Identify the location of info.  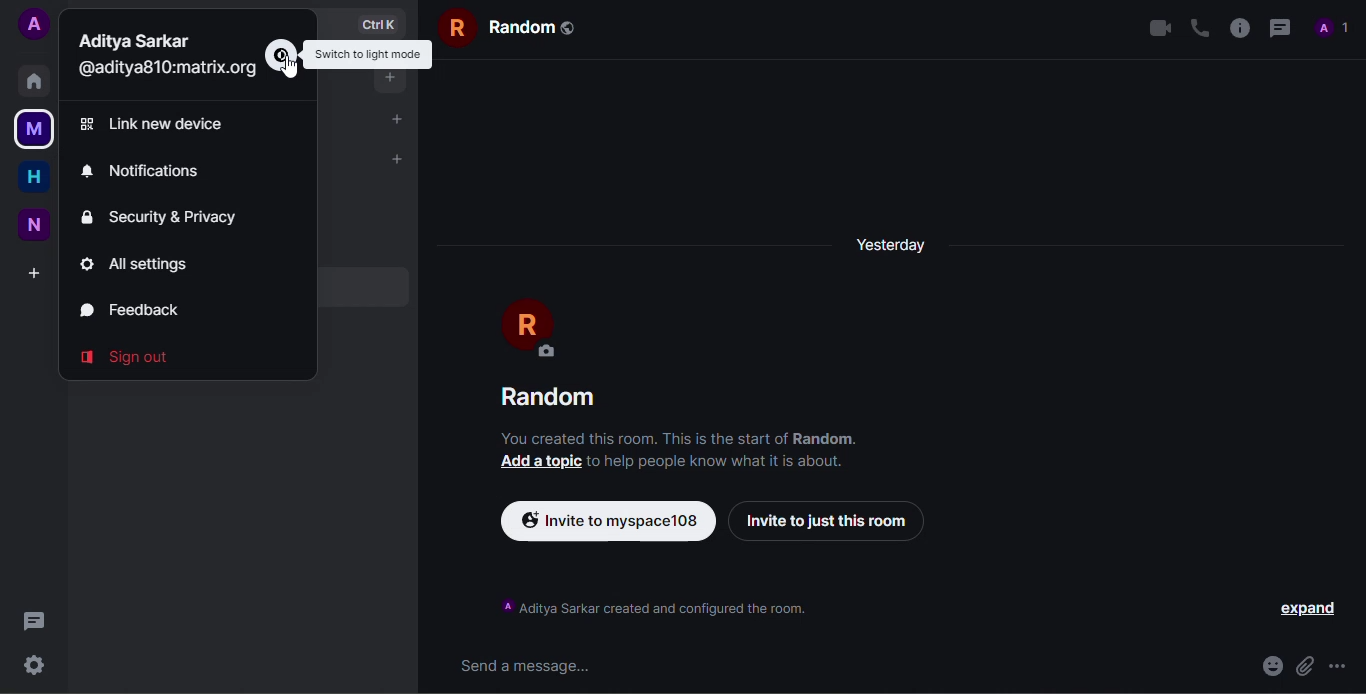
(1237, 25).